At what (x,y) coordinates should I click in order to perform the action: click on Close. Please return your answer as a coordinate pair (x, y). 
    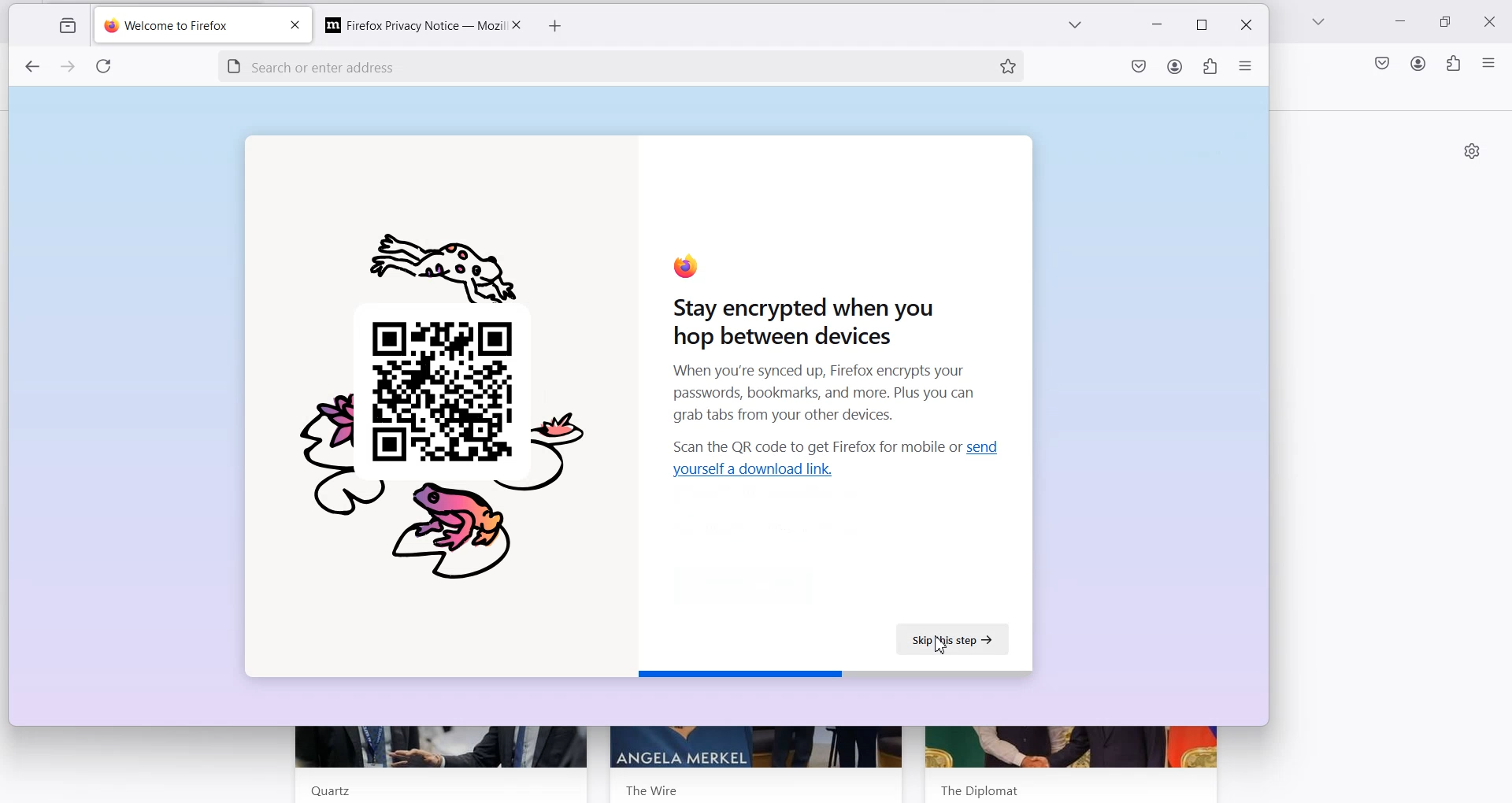
    Looking at the image, I should click on (515, 24).